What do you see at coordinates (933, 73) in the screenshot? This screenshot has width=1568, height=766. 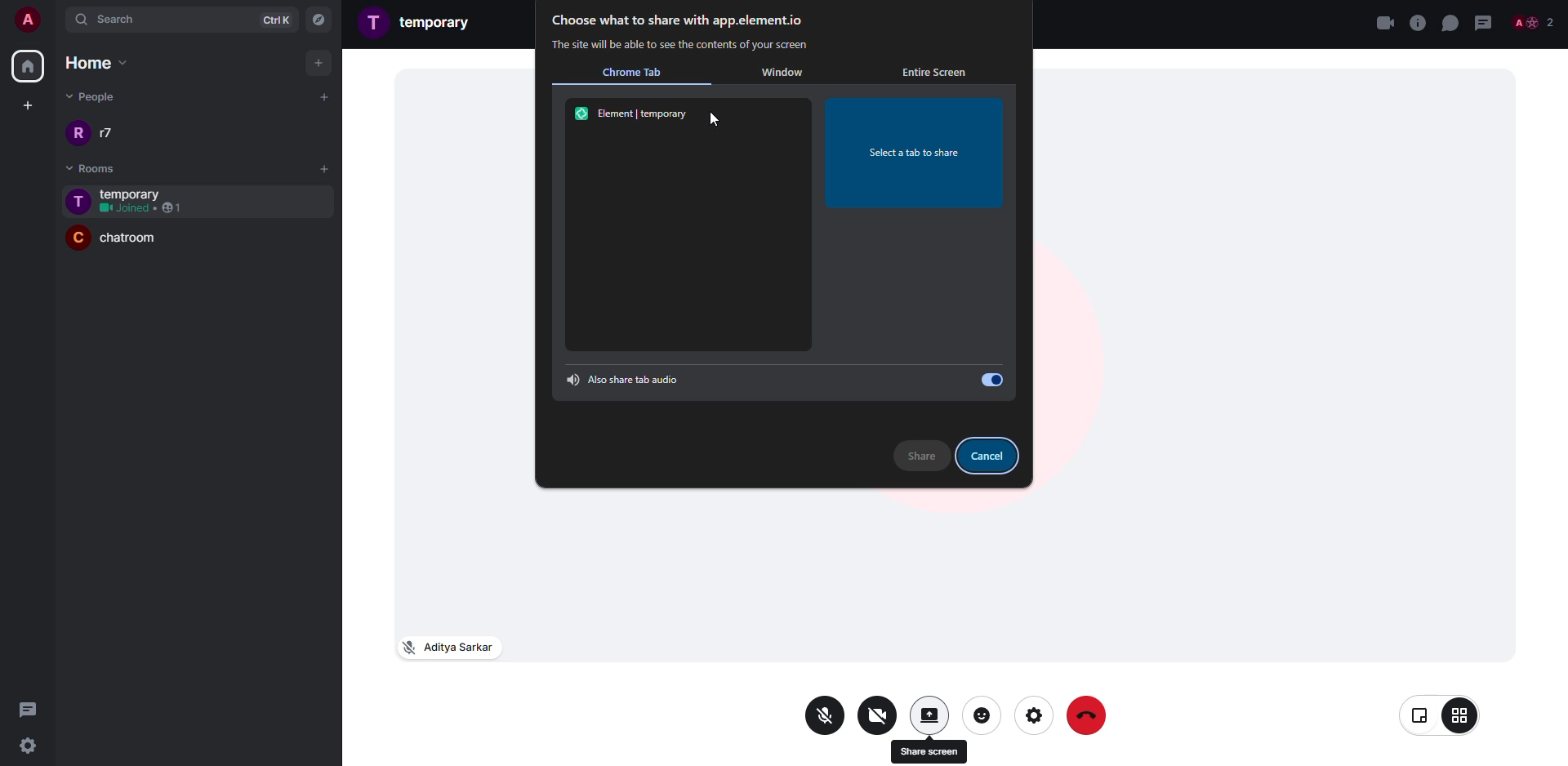 I see `entire screen` at bounding box center [933, 73].